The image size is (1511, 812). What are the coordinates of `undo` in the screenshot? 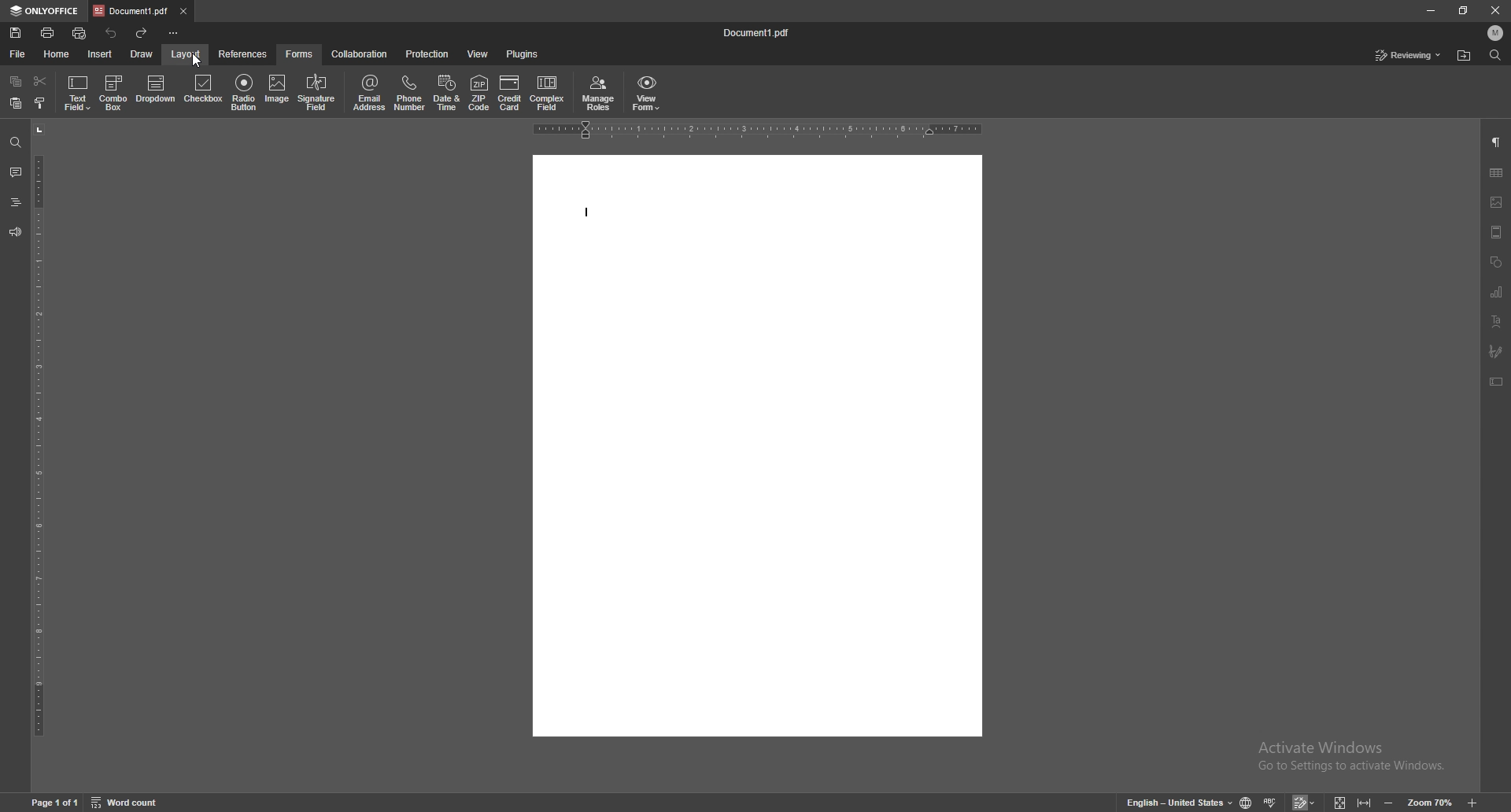 It's located at (112, 33).